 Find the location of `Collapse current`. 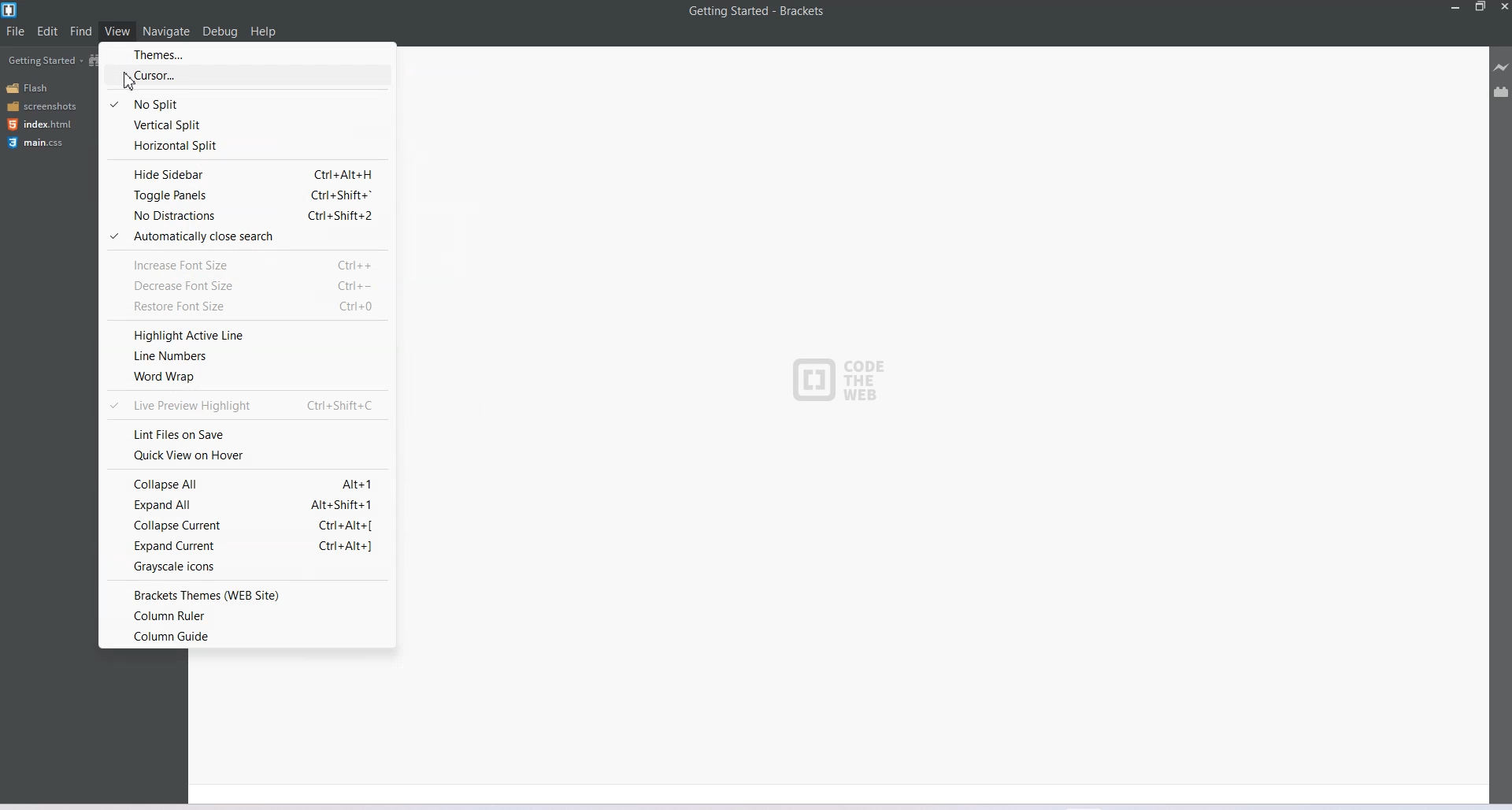

Collapse current is located at coordinates (246, 525).